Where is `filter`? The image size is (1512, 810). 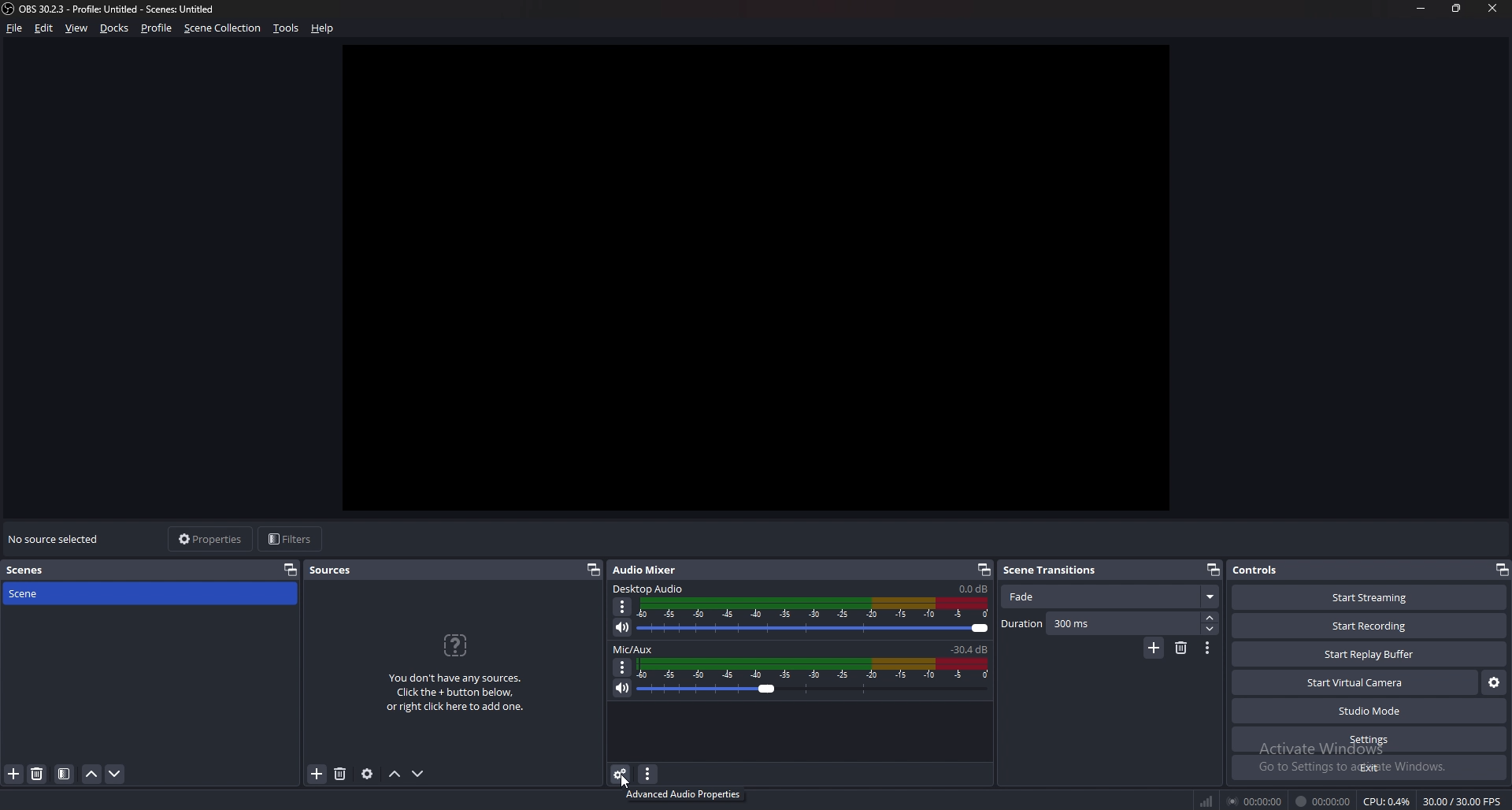
filter is located at coordinates (64, 775).